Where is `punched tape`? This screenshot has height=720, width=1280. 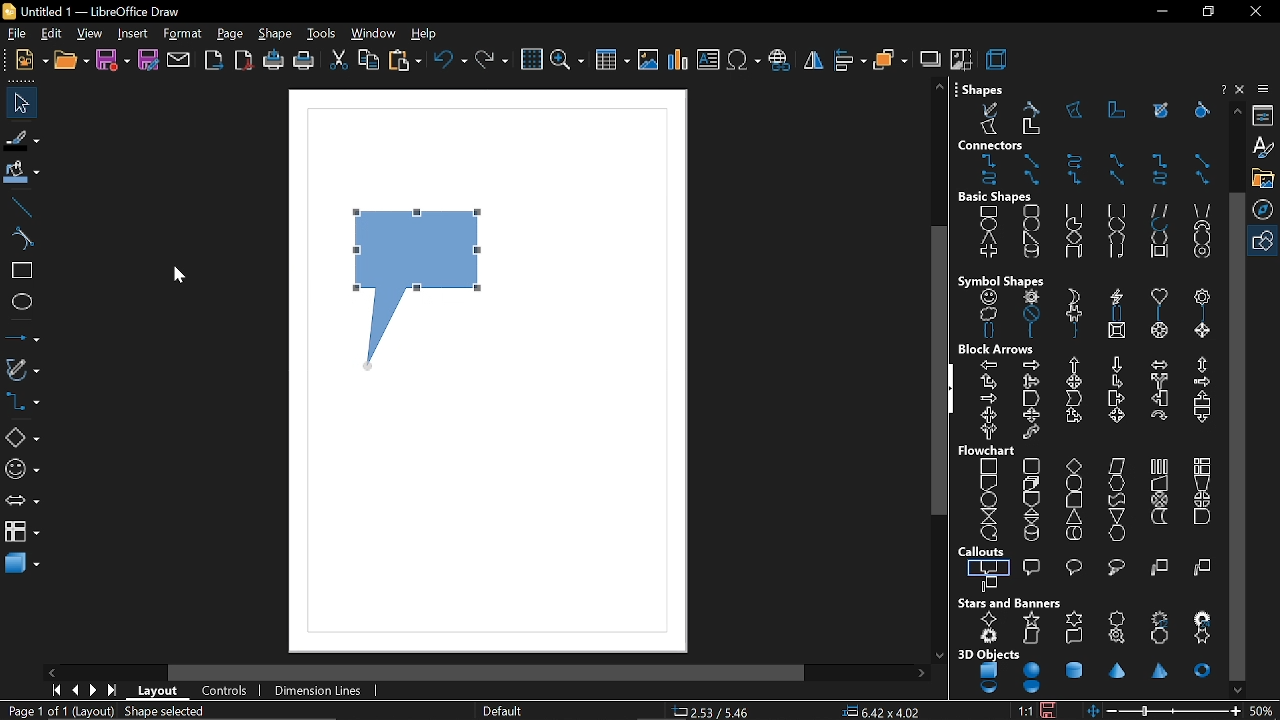 punched tape is located at coordinates (1115, 499).